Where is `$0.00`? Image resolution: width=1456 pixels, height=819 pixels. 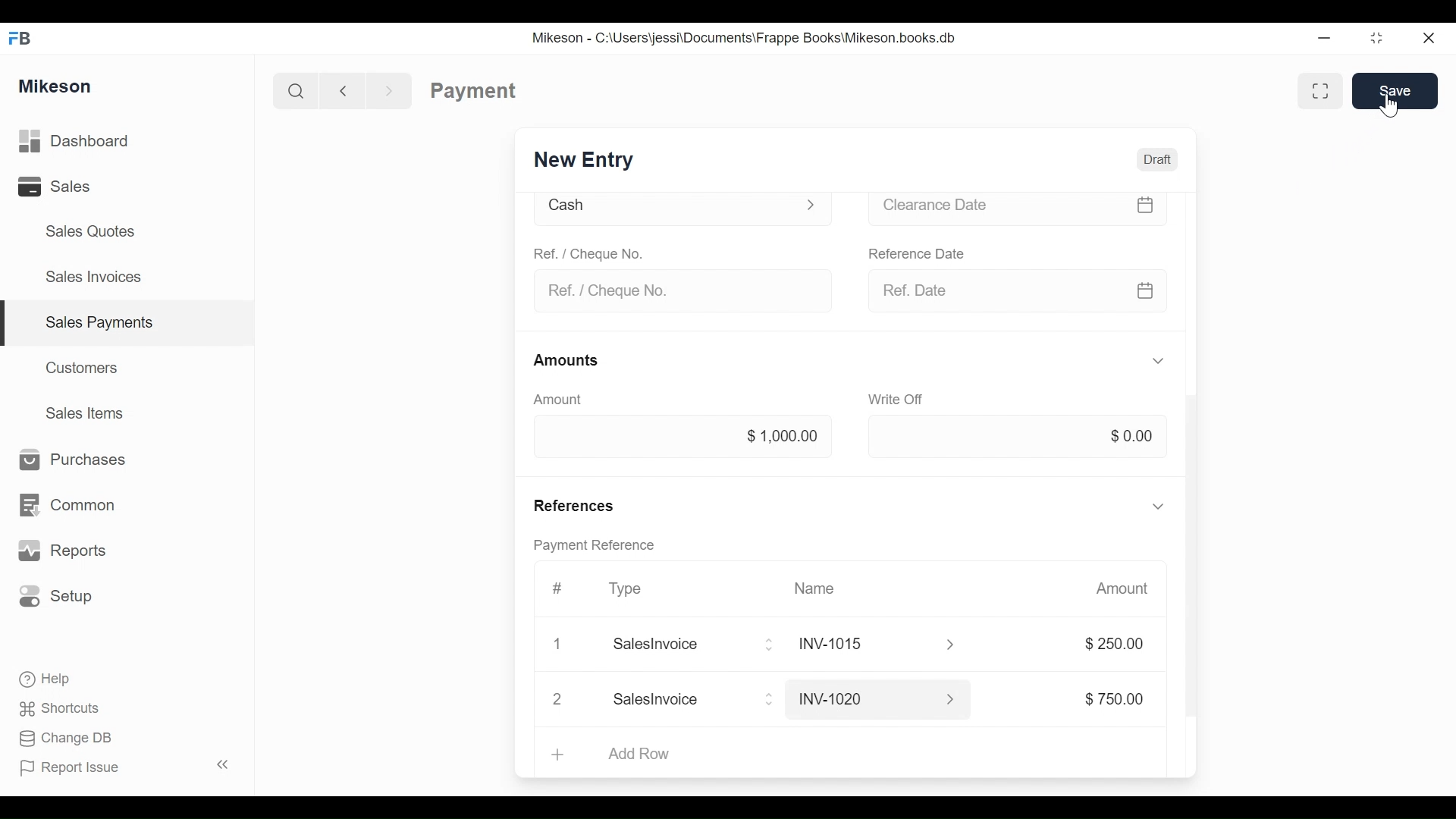 $0.00 is located at coordinates (1136, 435).